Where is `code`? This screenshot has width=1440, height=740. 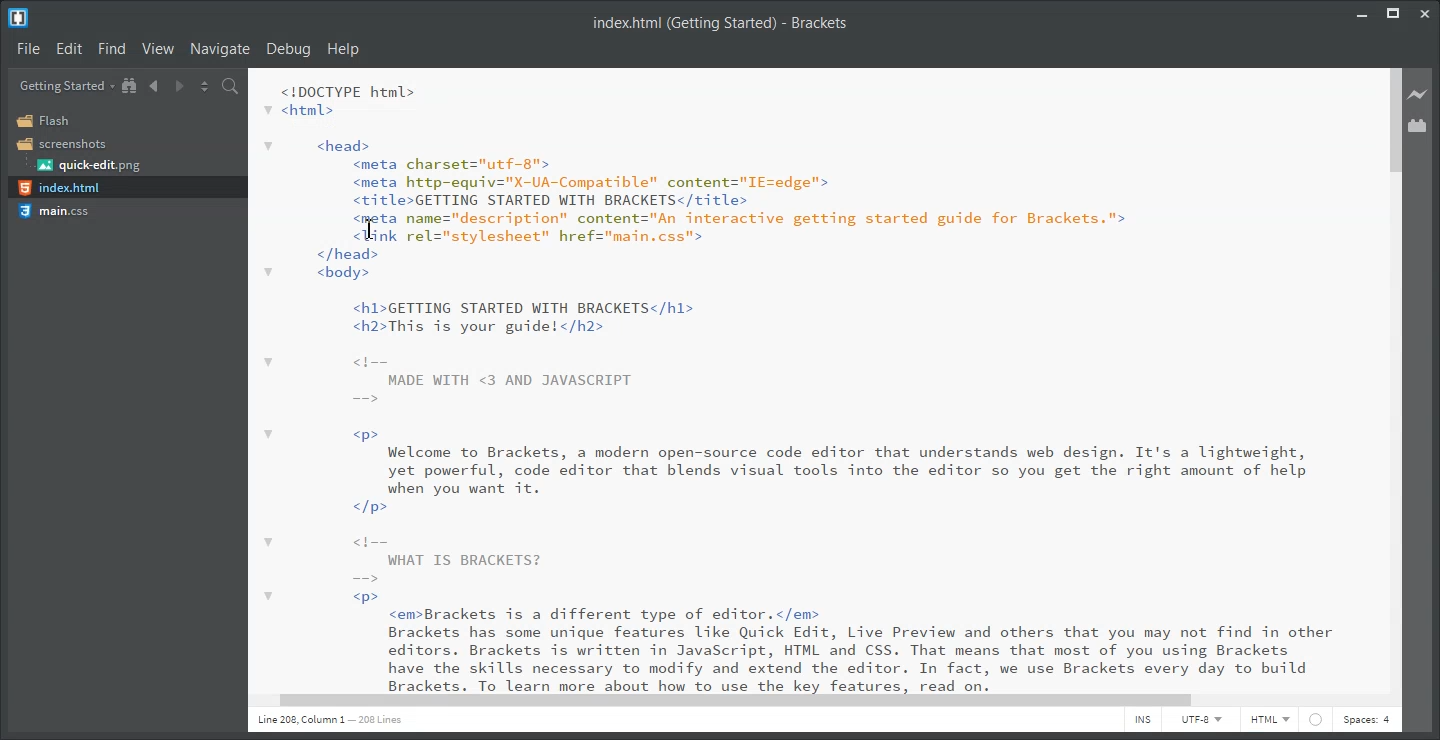
code is located at coordinates (810, 378).